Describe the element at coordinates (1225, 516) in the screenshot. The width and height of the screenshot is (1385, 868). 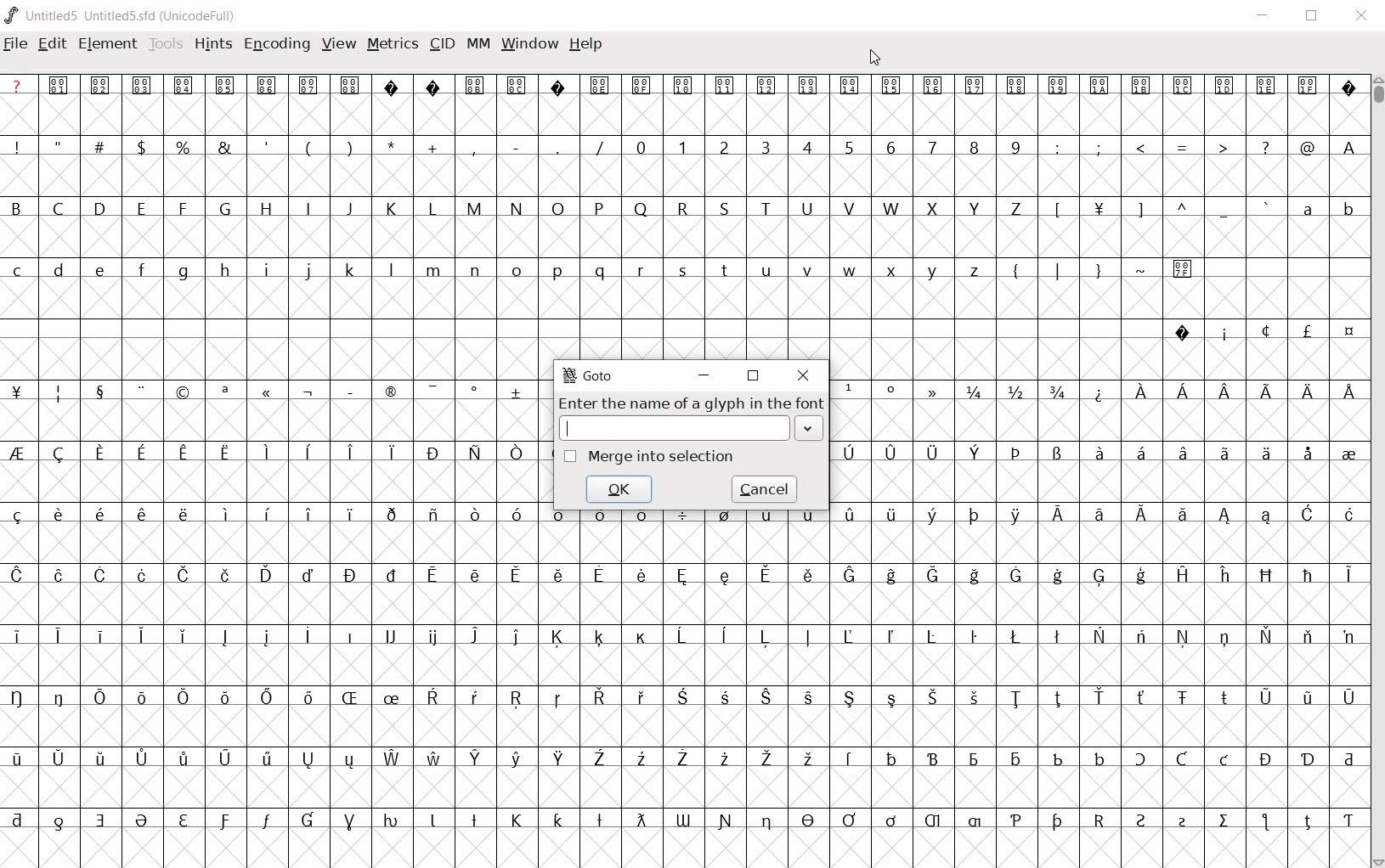
I see `Symbol` at that location.